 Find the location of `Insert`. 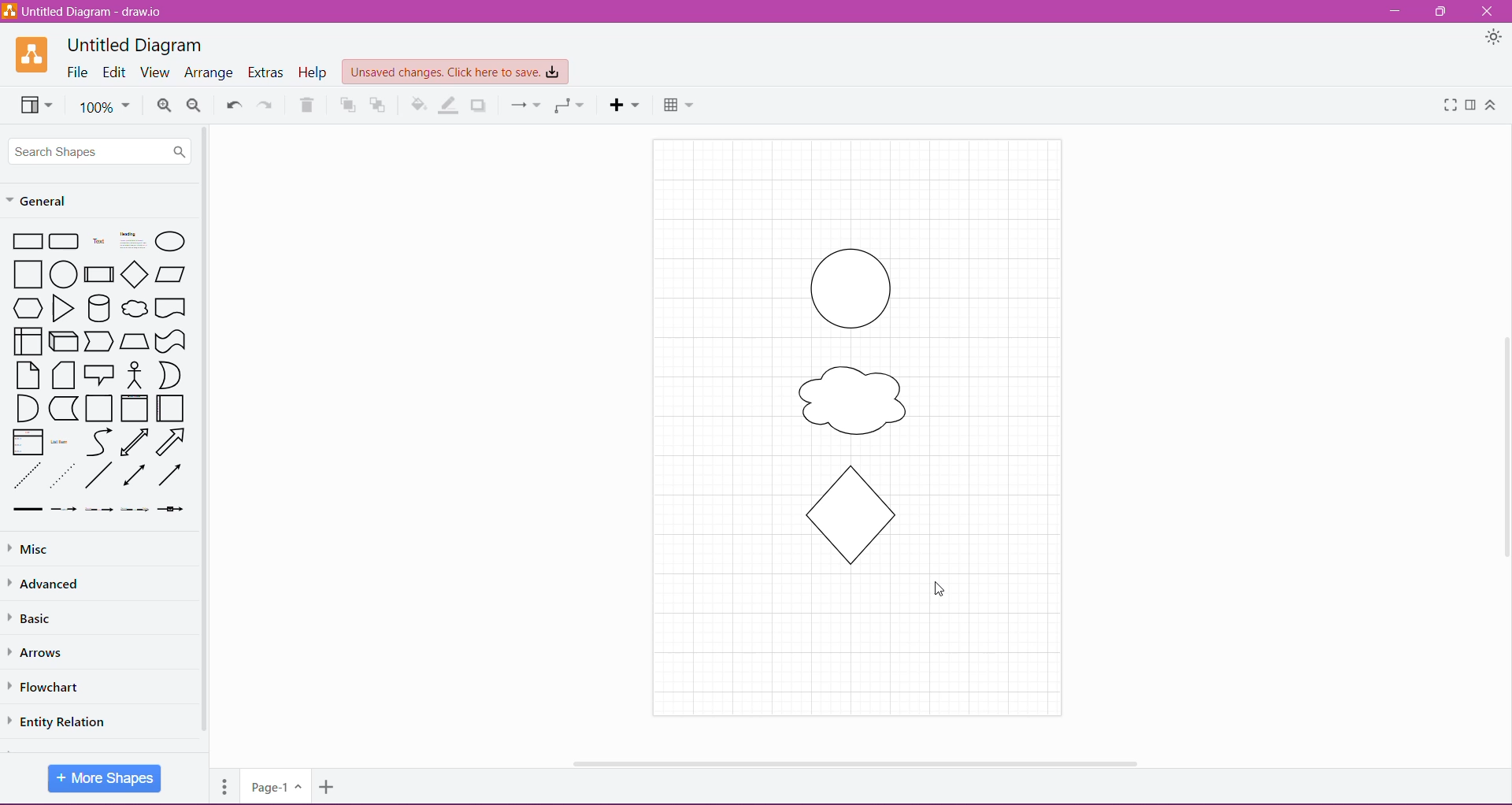

Insert is located at coordinates (624, 105).